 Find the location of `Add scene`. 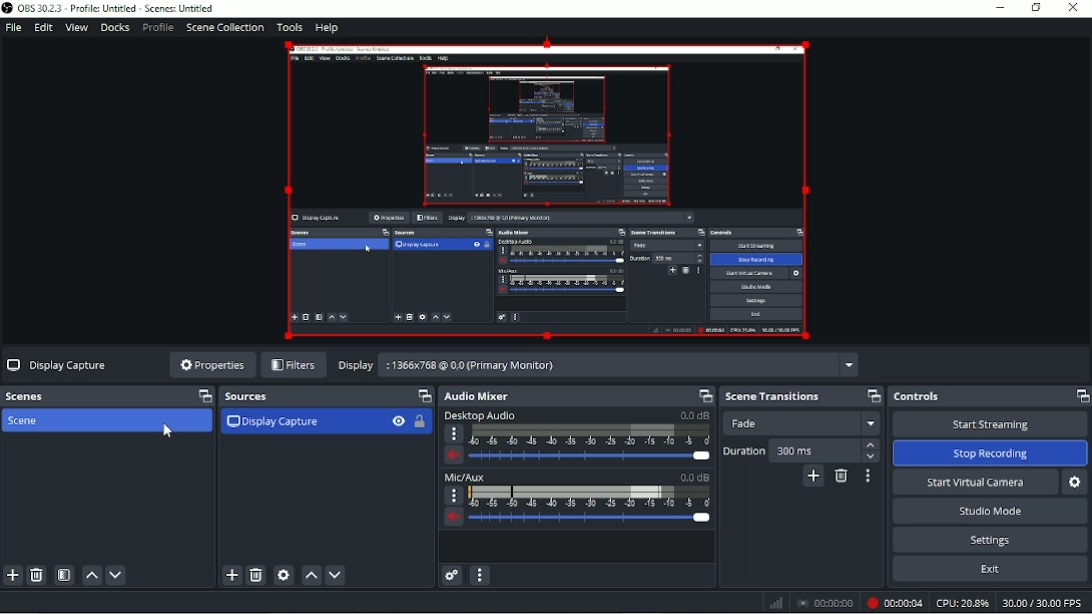

Add scene is located at coordinates (12, 576).